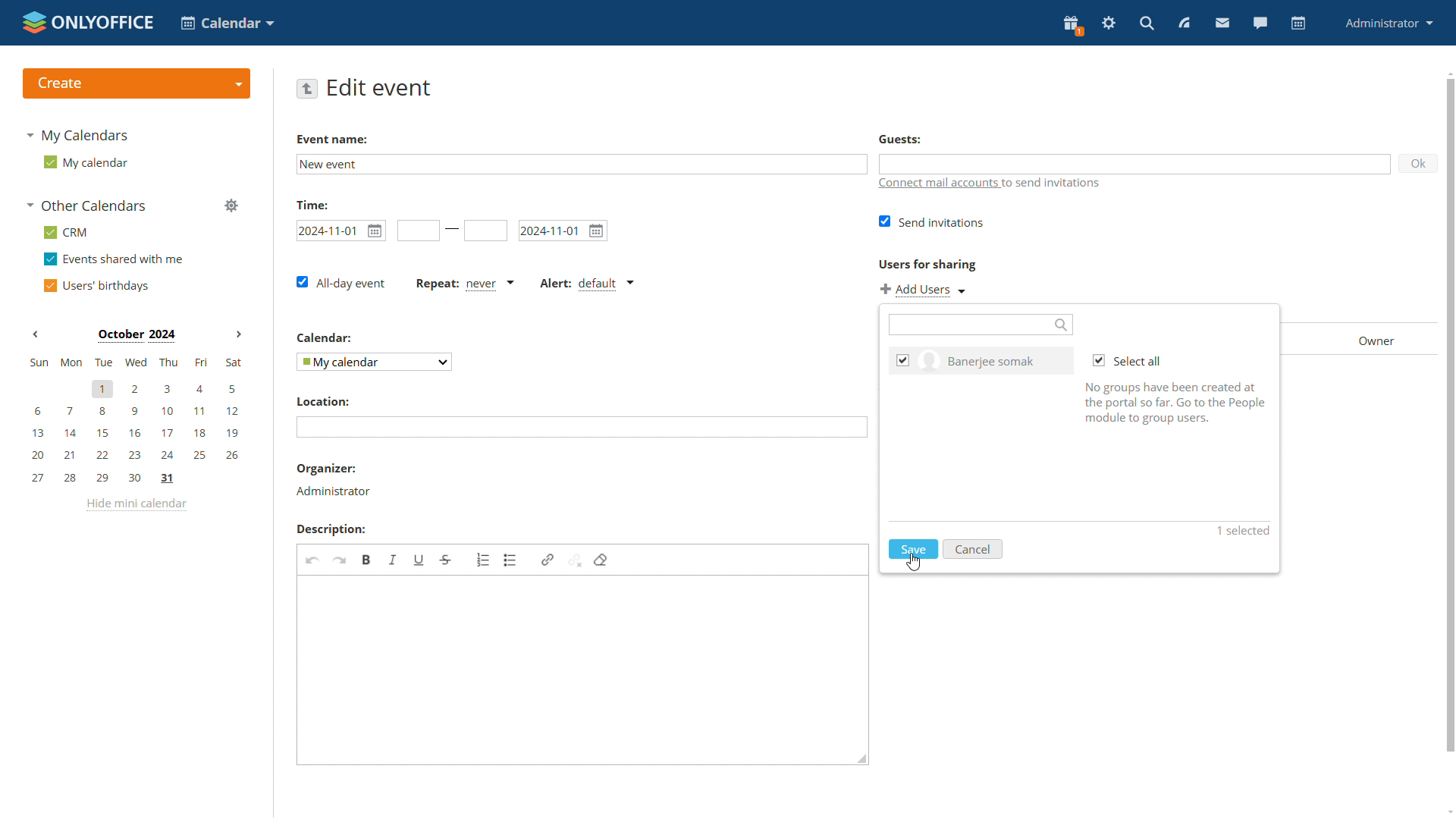 Image resolution: width=1456 pixels, height=819 pixels. Describe the element at coordinates (100, 285) in the screenshot. I see `users' birthdays` at that location.